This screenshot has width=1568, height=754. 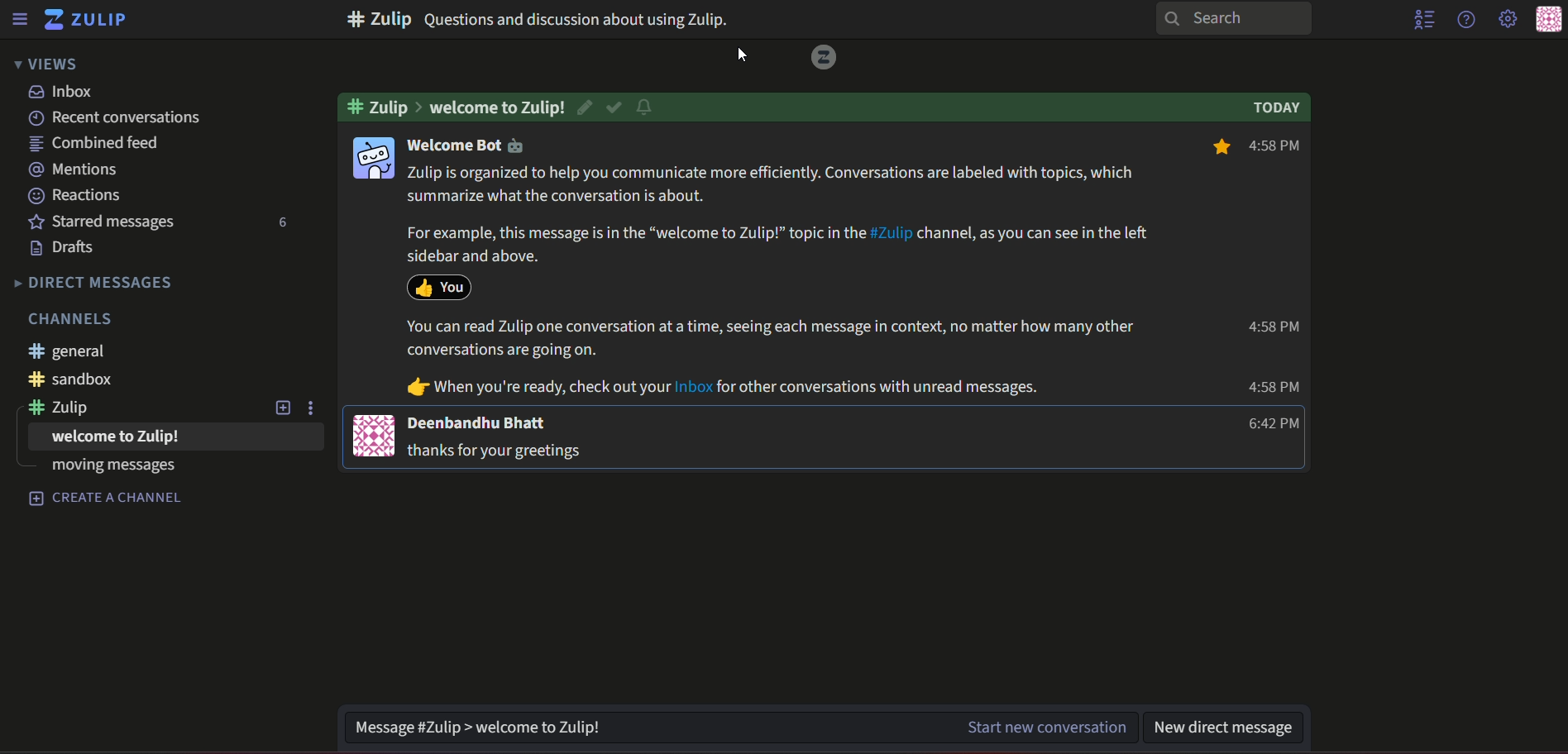 I want to click on user list, so click(x=1425, y=21).